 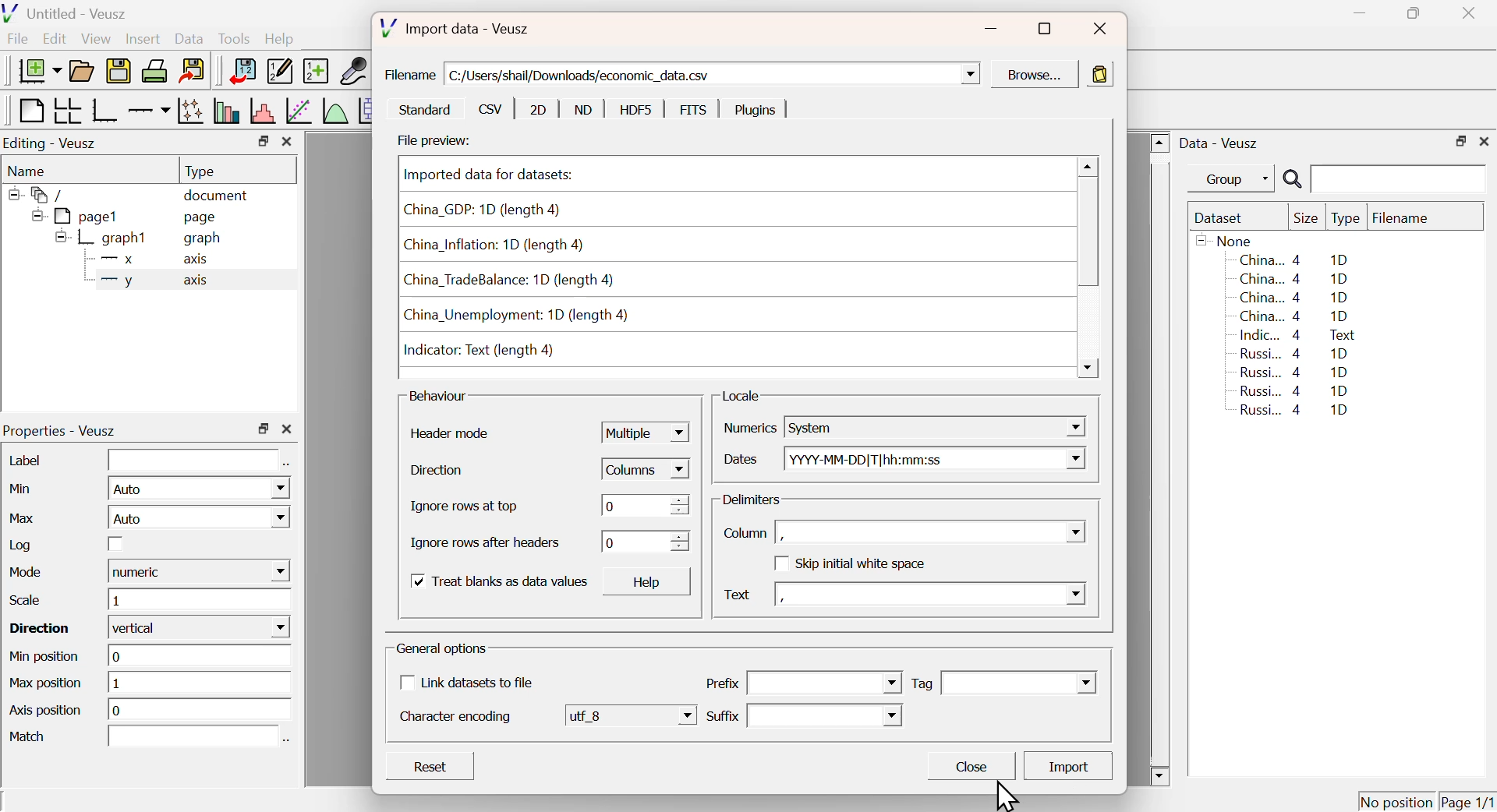 What do you see at coordinates (39, 195) in the screenshot?
I see `/` at bounding box center [39, 195].